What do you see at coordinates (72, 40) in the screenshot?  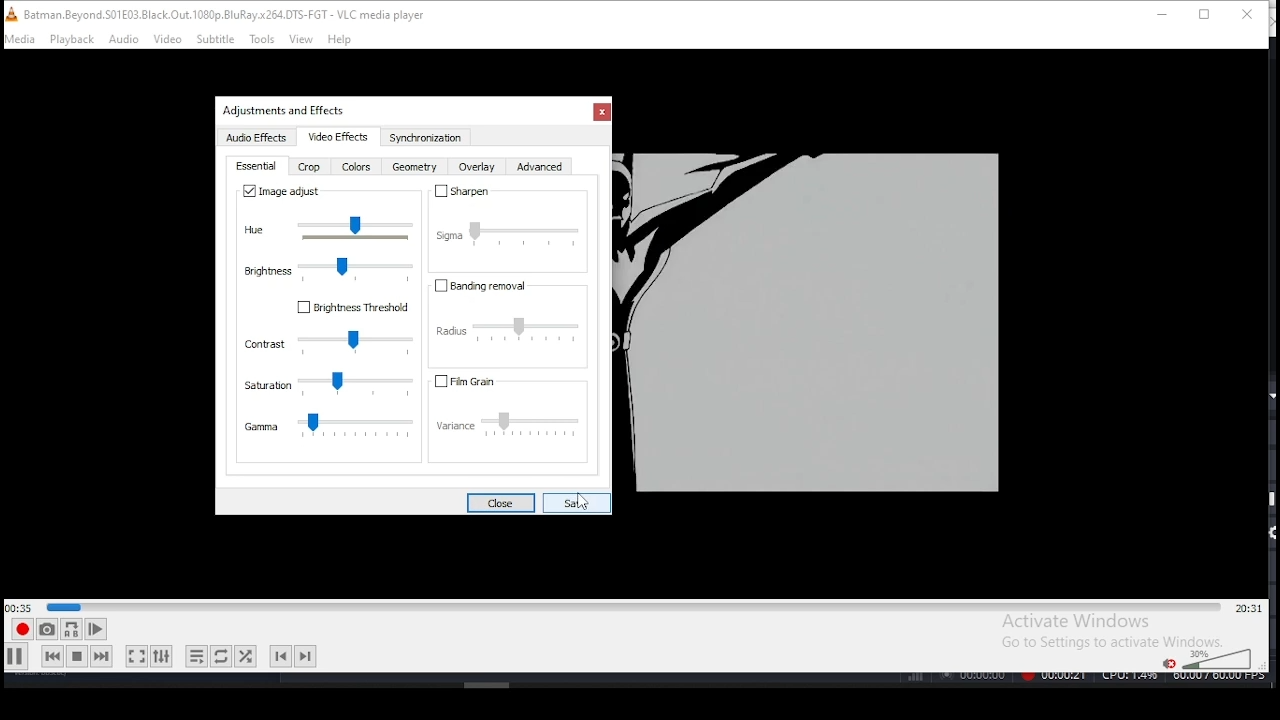 I see `playback` at bounding box center [72, 40].